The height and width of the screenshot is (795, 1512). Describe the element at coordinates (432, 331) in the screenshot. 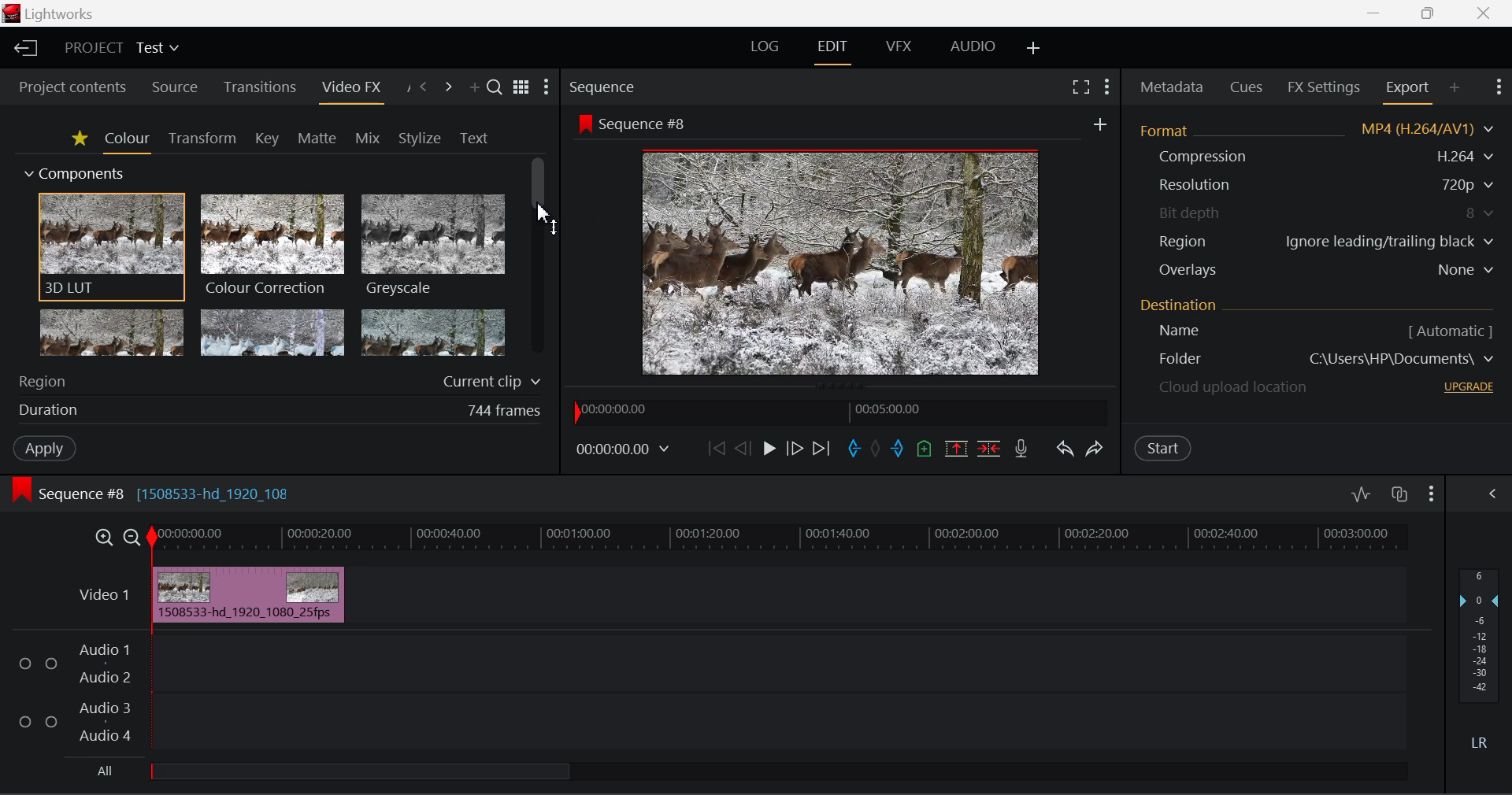

I see `Posterize` at that location.